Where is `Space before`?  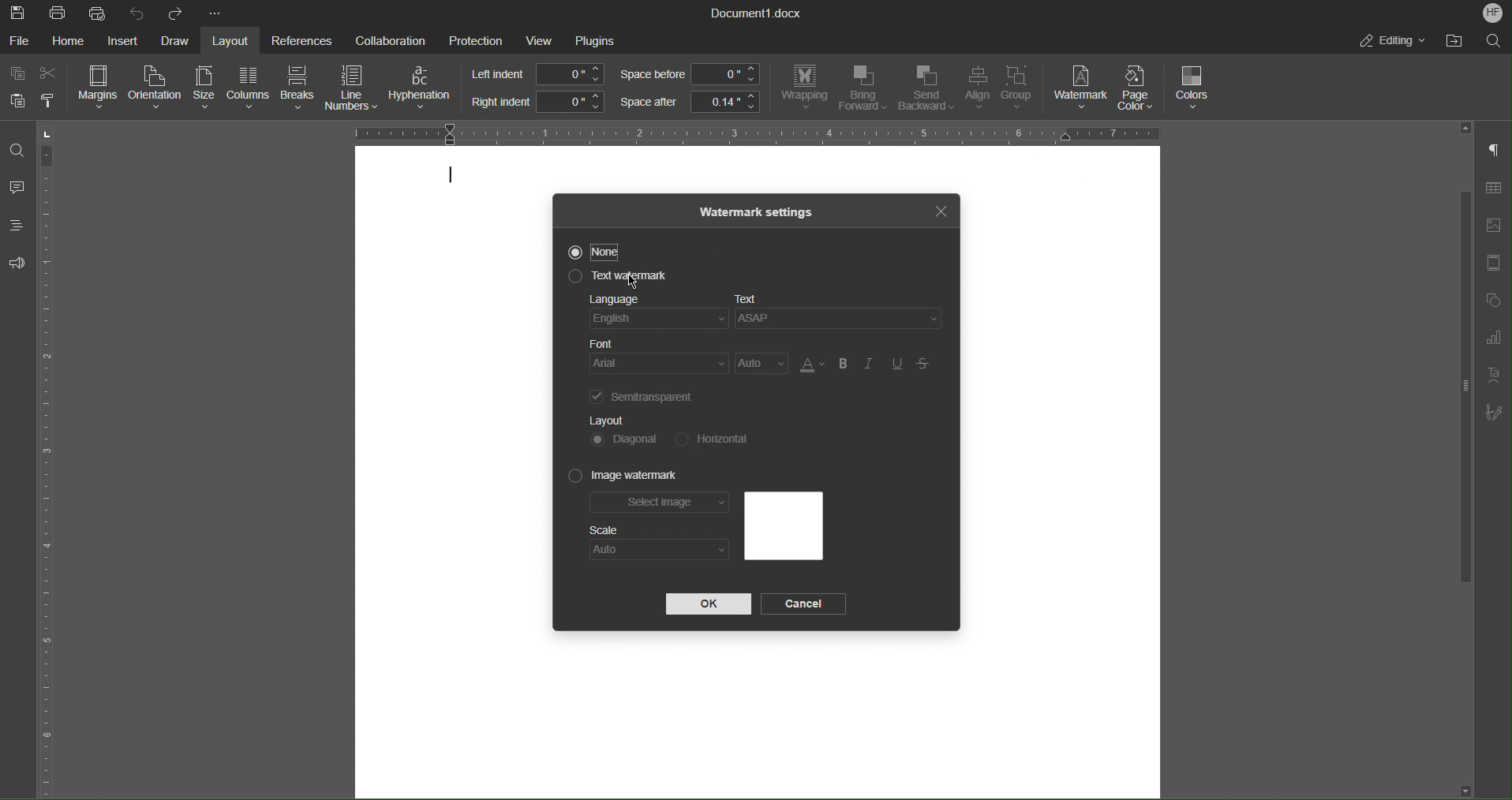 Space before is located at coordinates (689, 75).